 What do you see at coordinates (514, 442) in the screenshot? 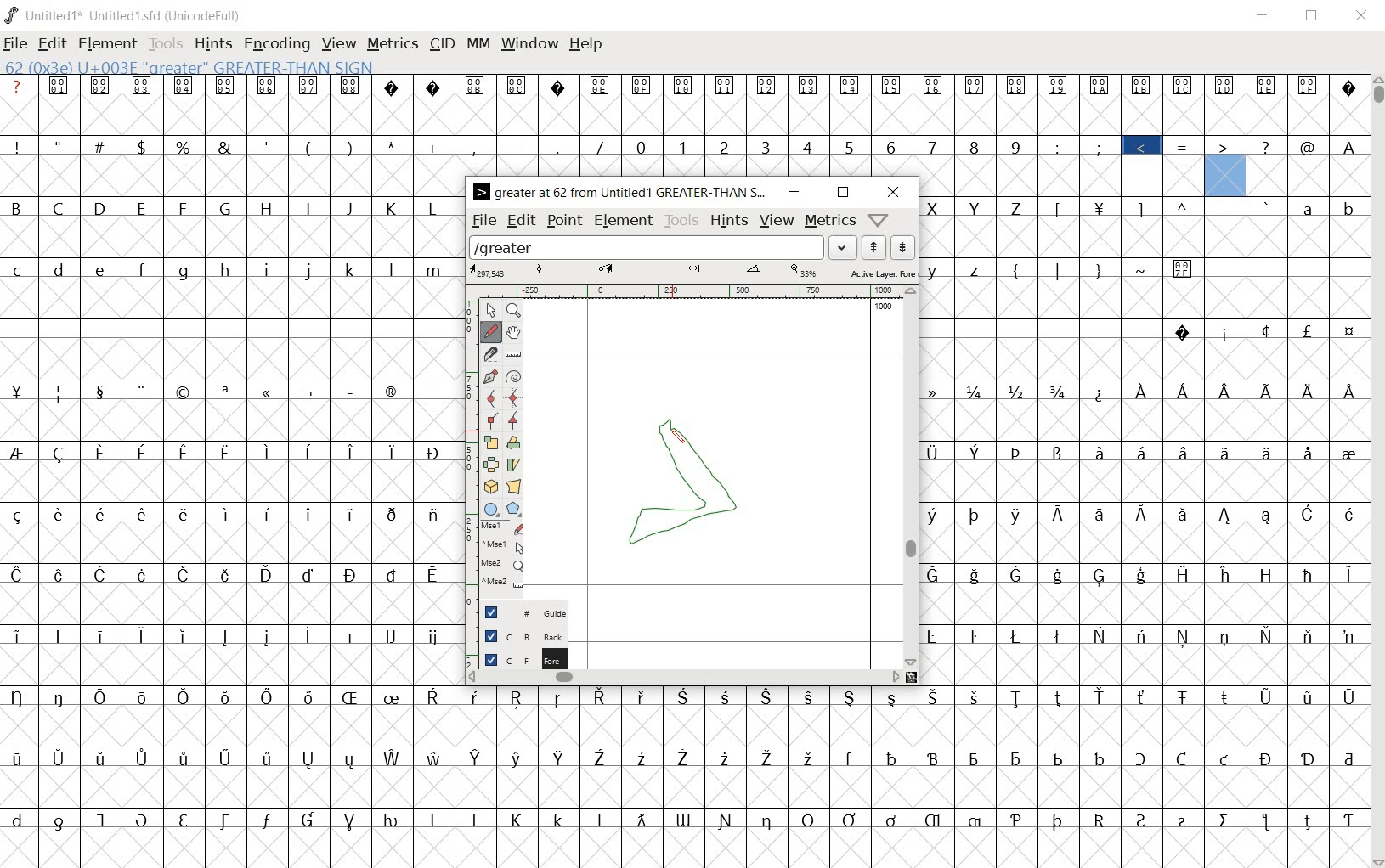
I see `Rotate the selection` at bounding box center [514, 442].